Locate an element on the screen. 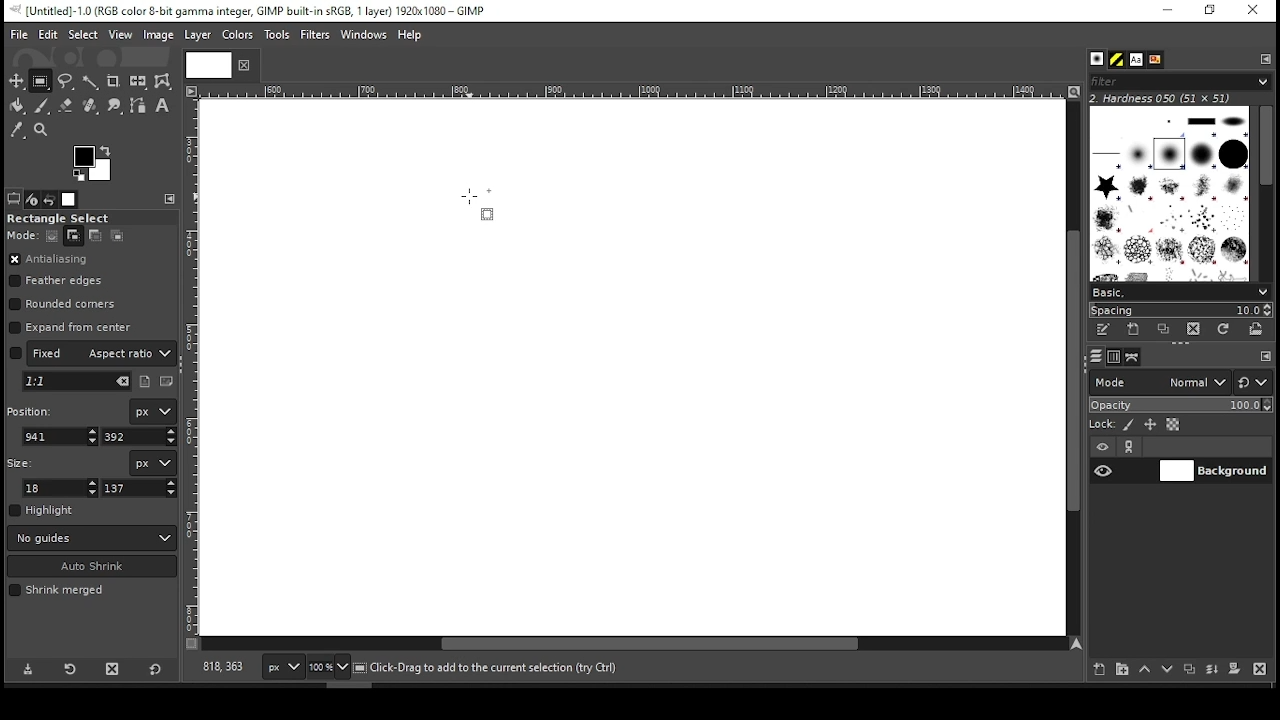  highlight is located at coordinates (42, 510).